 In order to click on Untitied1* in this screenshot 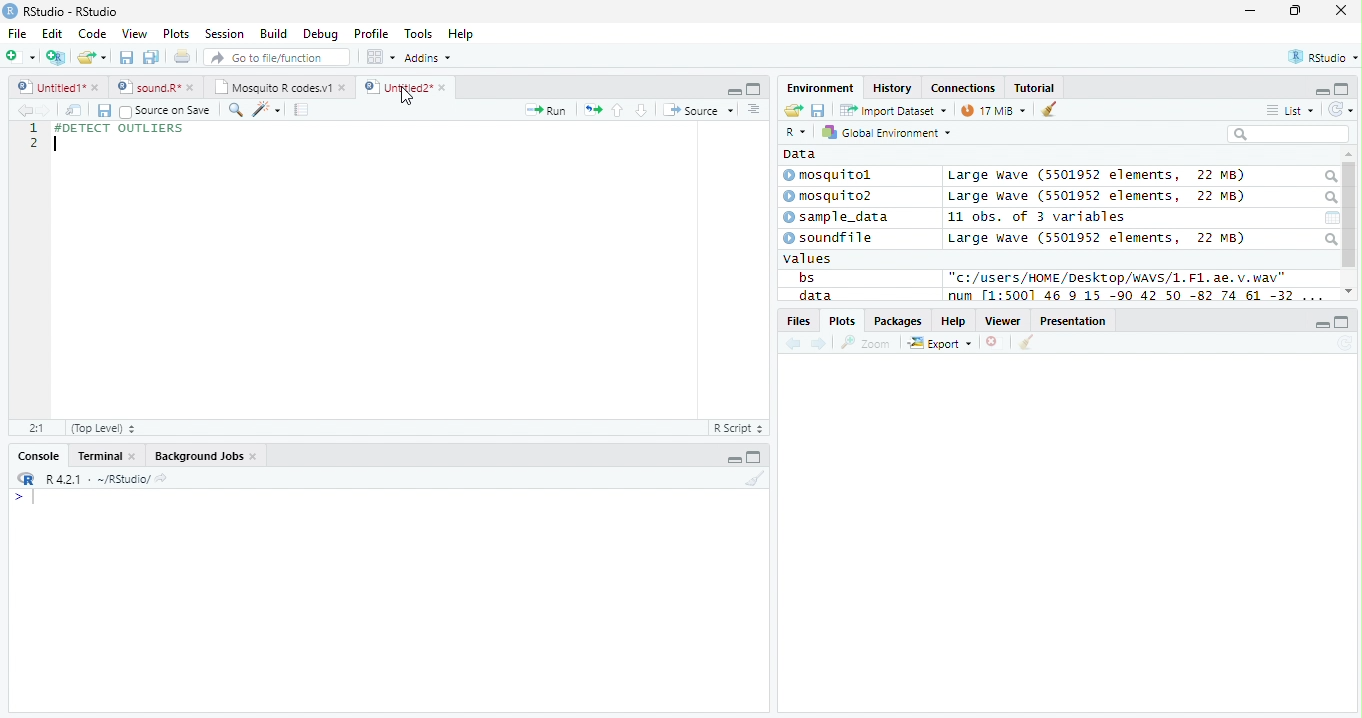, I will do `click(58, 87)`.